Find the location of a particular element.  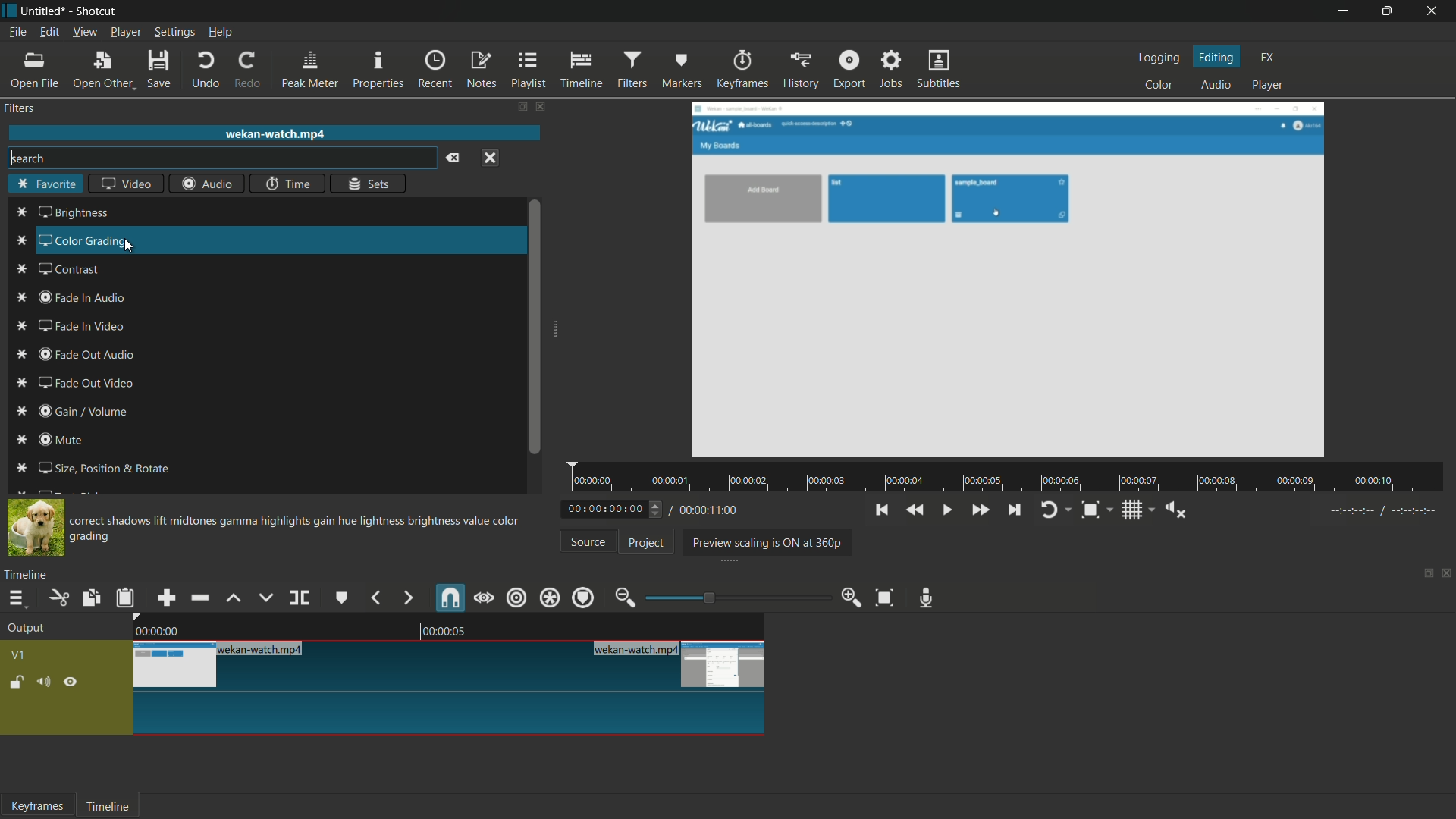

Cursor is located at coordinates (133, 246).